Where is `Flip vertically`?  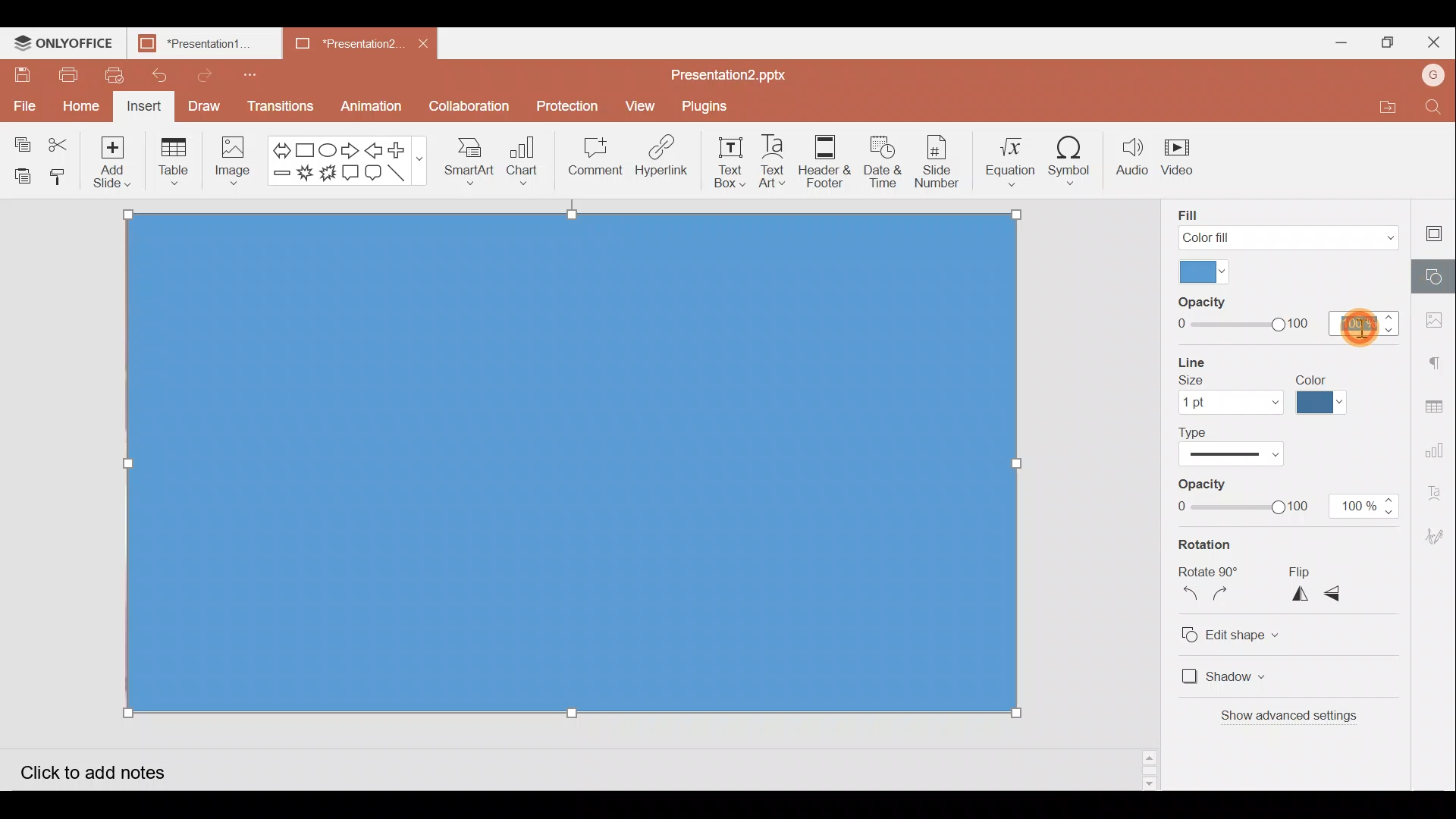 Flip vertically is located at coordinates (1341, 595).